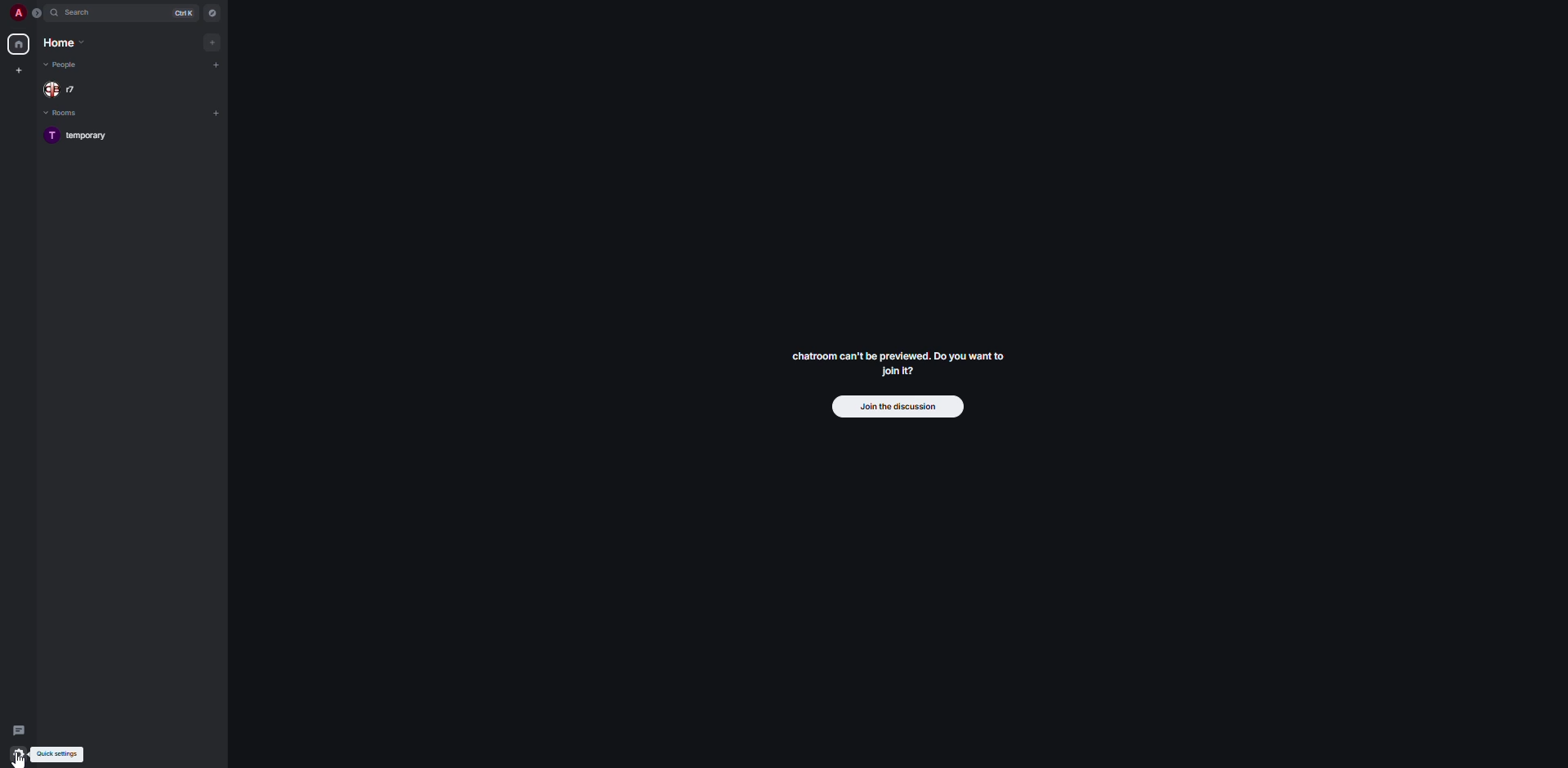 The width and height of the screenshot is (1568, 768). I want to click on join discussion, so click(898, 406).